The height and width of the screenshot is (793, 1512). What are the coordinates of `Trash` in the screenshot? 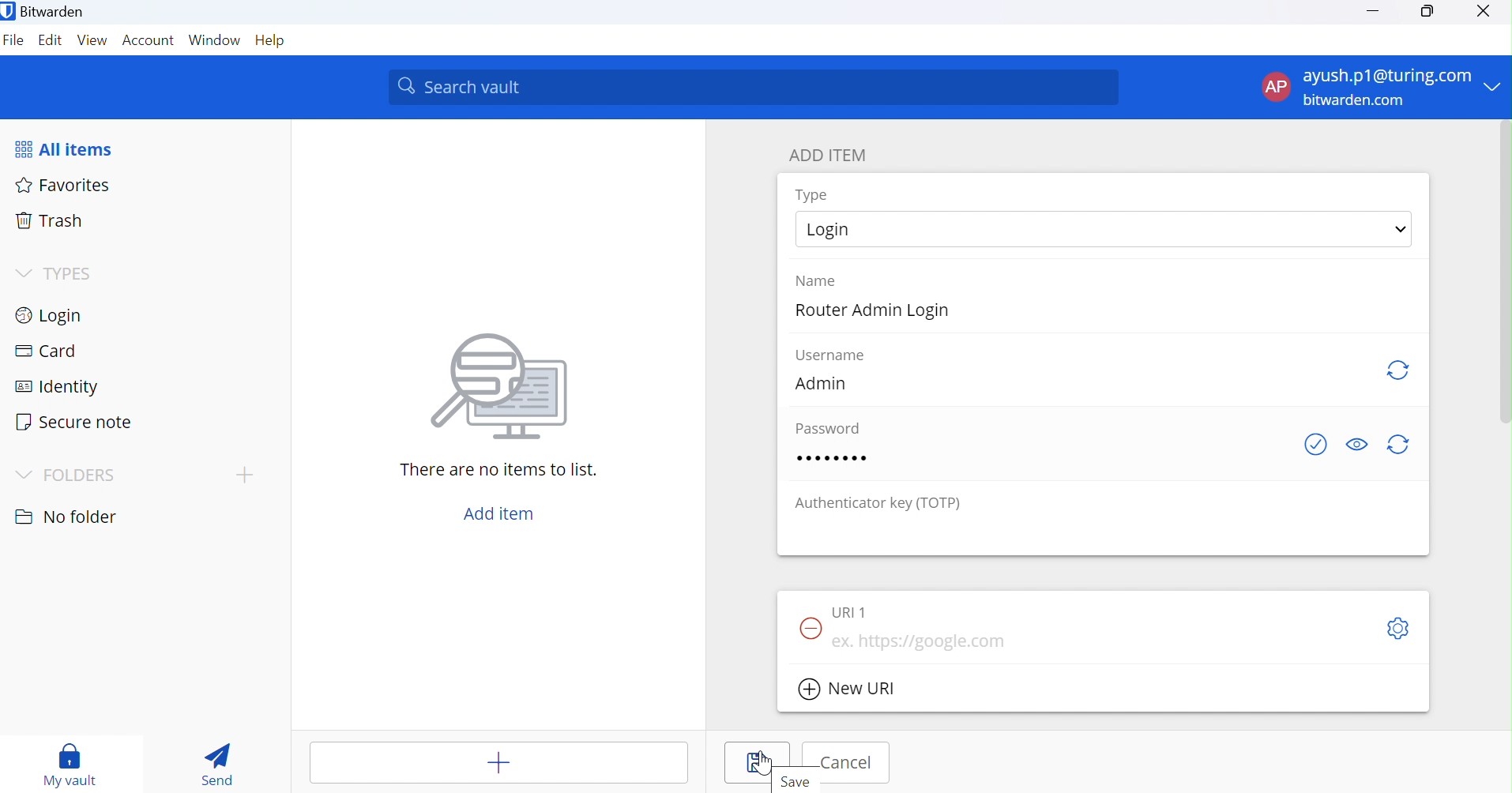 It's located at (51, 223).